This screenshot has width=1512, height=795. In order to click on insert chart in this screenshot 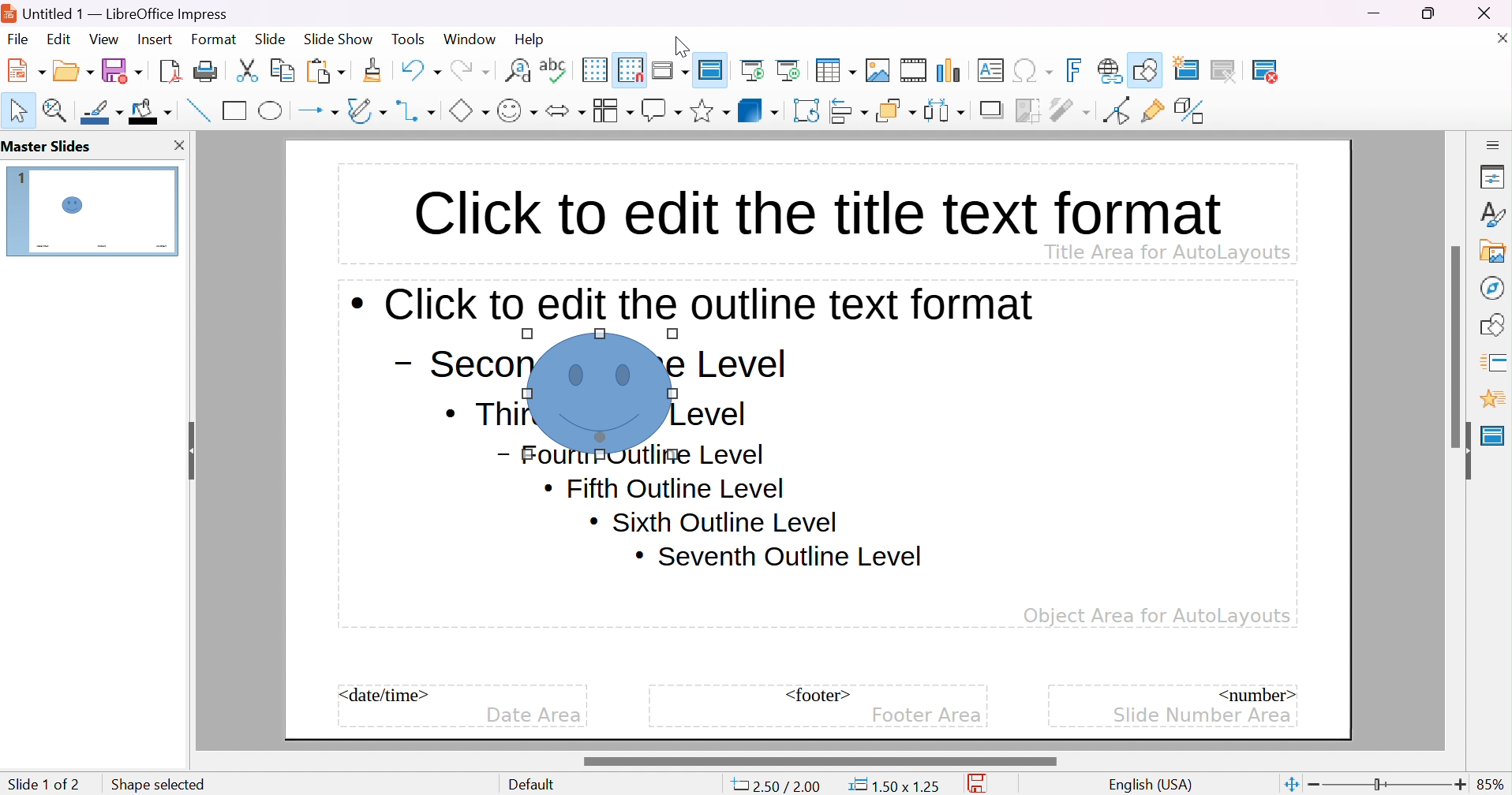, I will do `click(951, 70)`.